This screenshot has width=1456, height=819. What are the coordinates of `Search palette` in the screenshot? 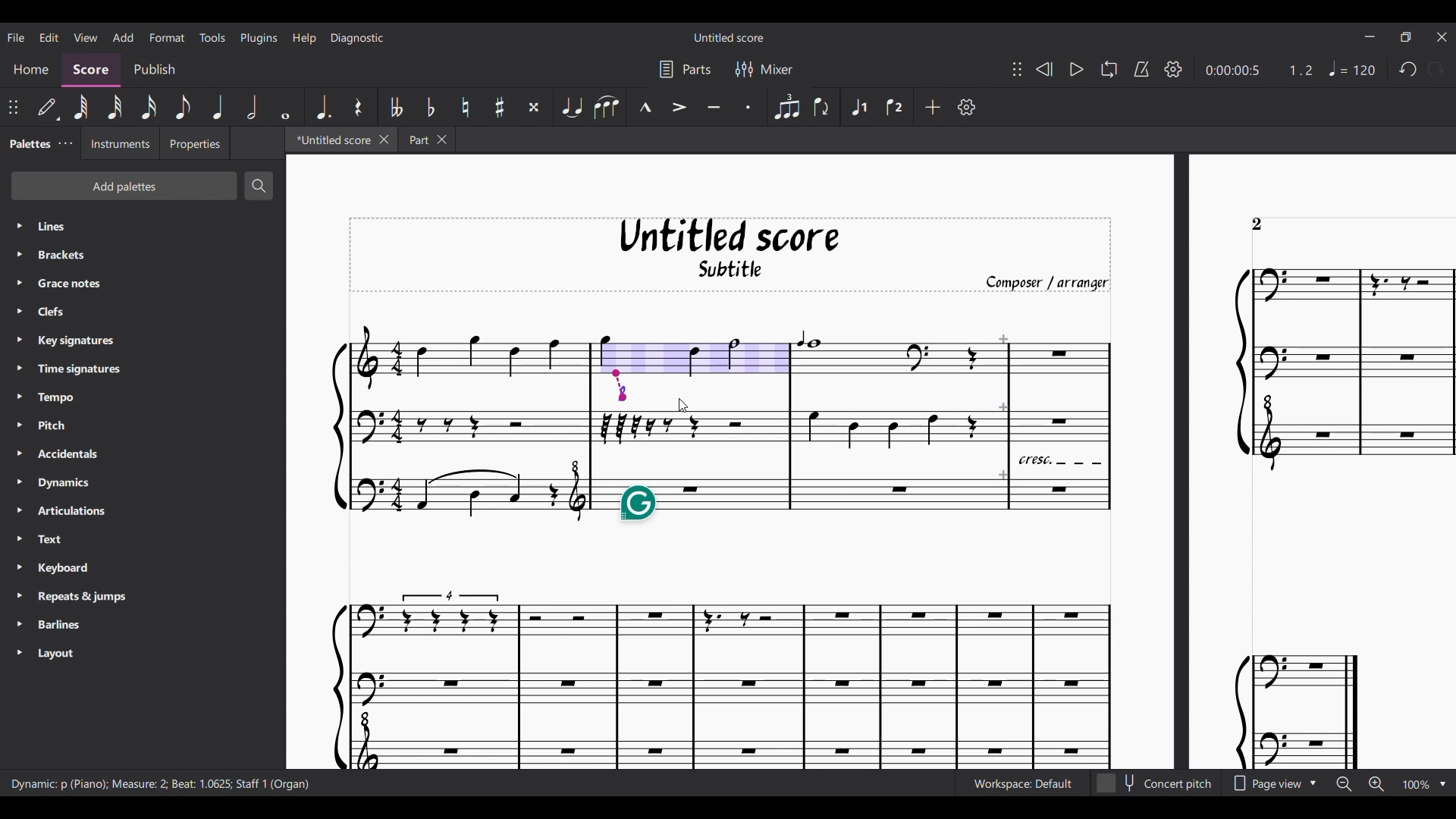 It's located at (259, 186).